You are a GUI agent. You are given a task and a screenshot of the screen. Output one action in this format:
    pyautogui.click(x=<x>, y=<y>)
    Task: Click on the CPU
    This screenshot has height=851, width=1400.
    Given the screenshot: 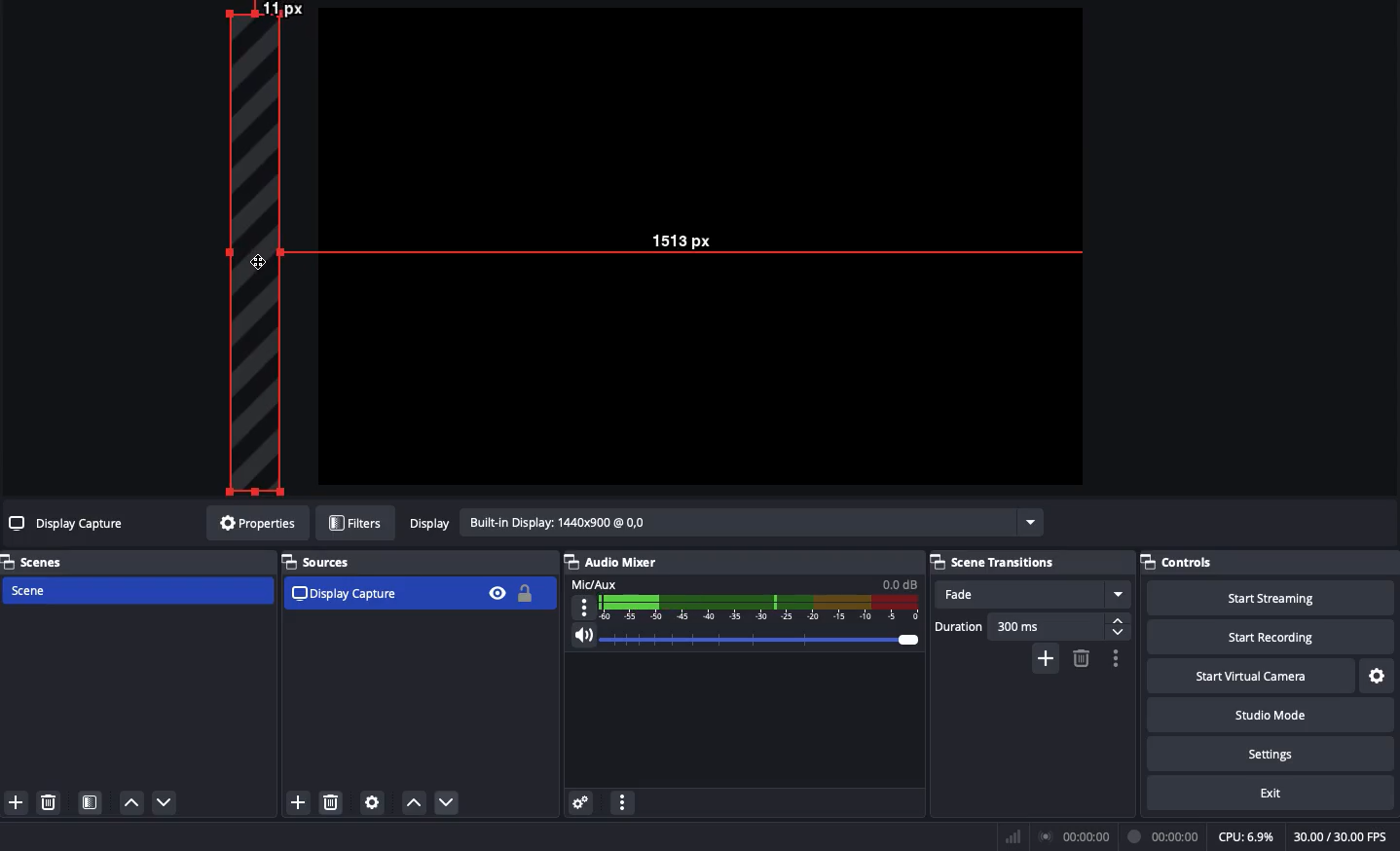 What is the action you would take?
    pyautogui.click(x=1245, y=837)
    